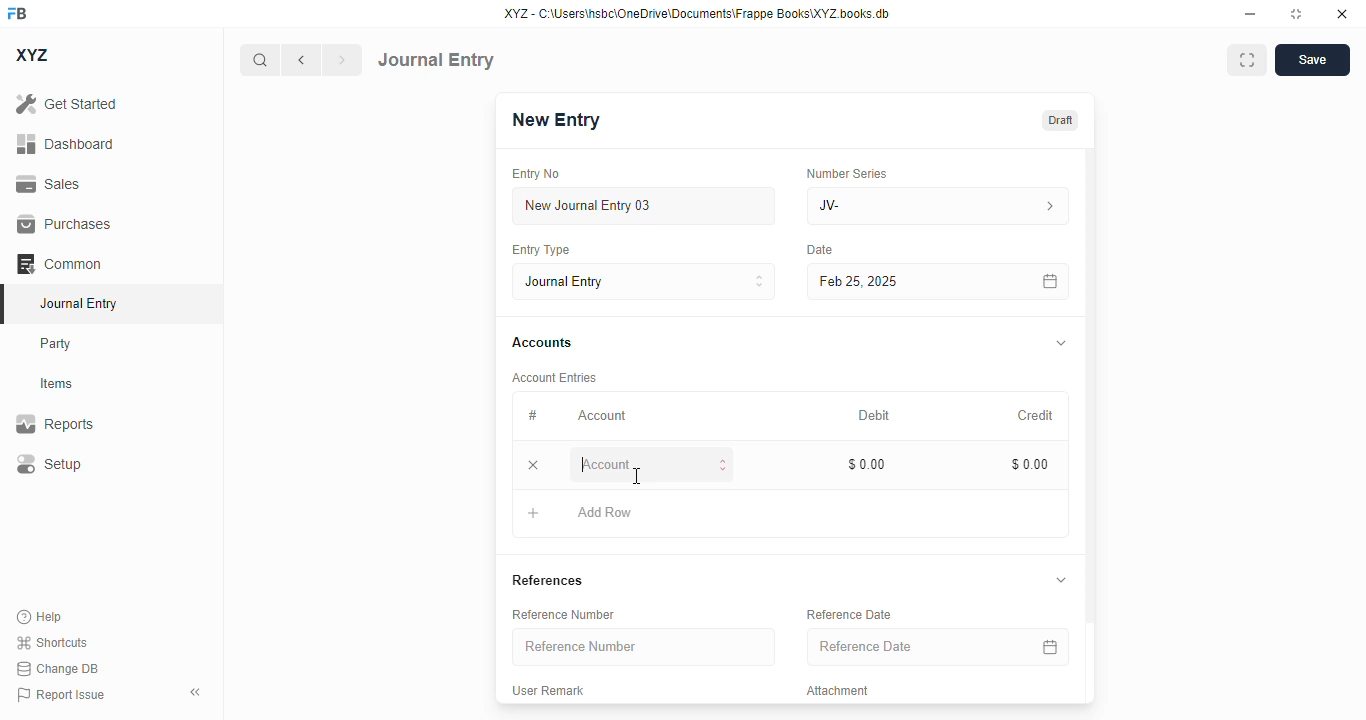  What do you see at coordinates (539, 249) in the screenshot?
I see `entry type` at bounding box center [539, 249].